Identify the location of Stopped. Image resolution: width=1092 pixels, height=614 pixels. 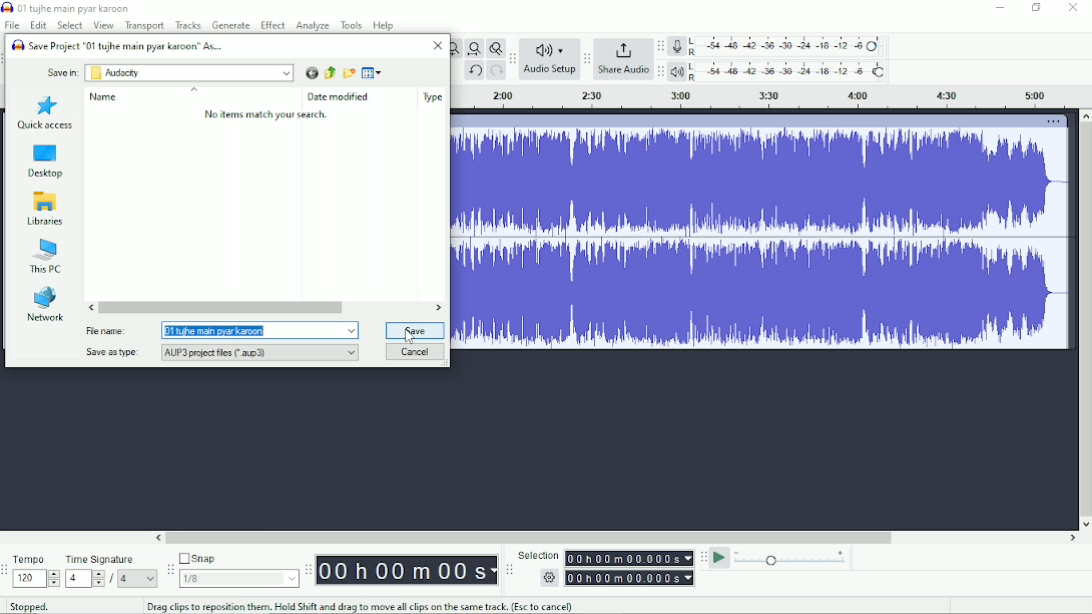
(35, 607).